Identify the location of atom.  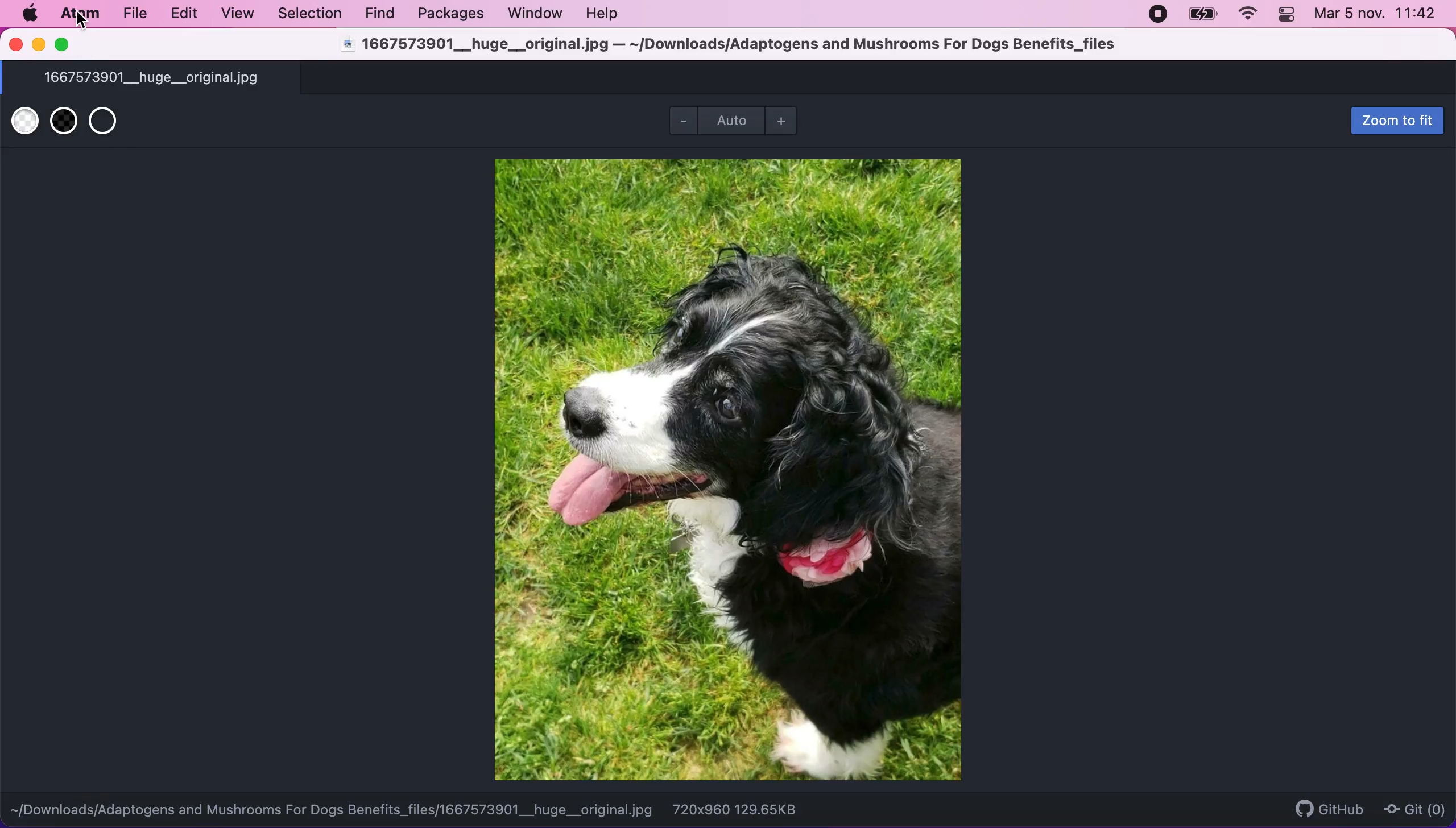
(78, 16).